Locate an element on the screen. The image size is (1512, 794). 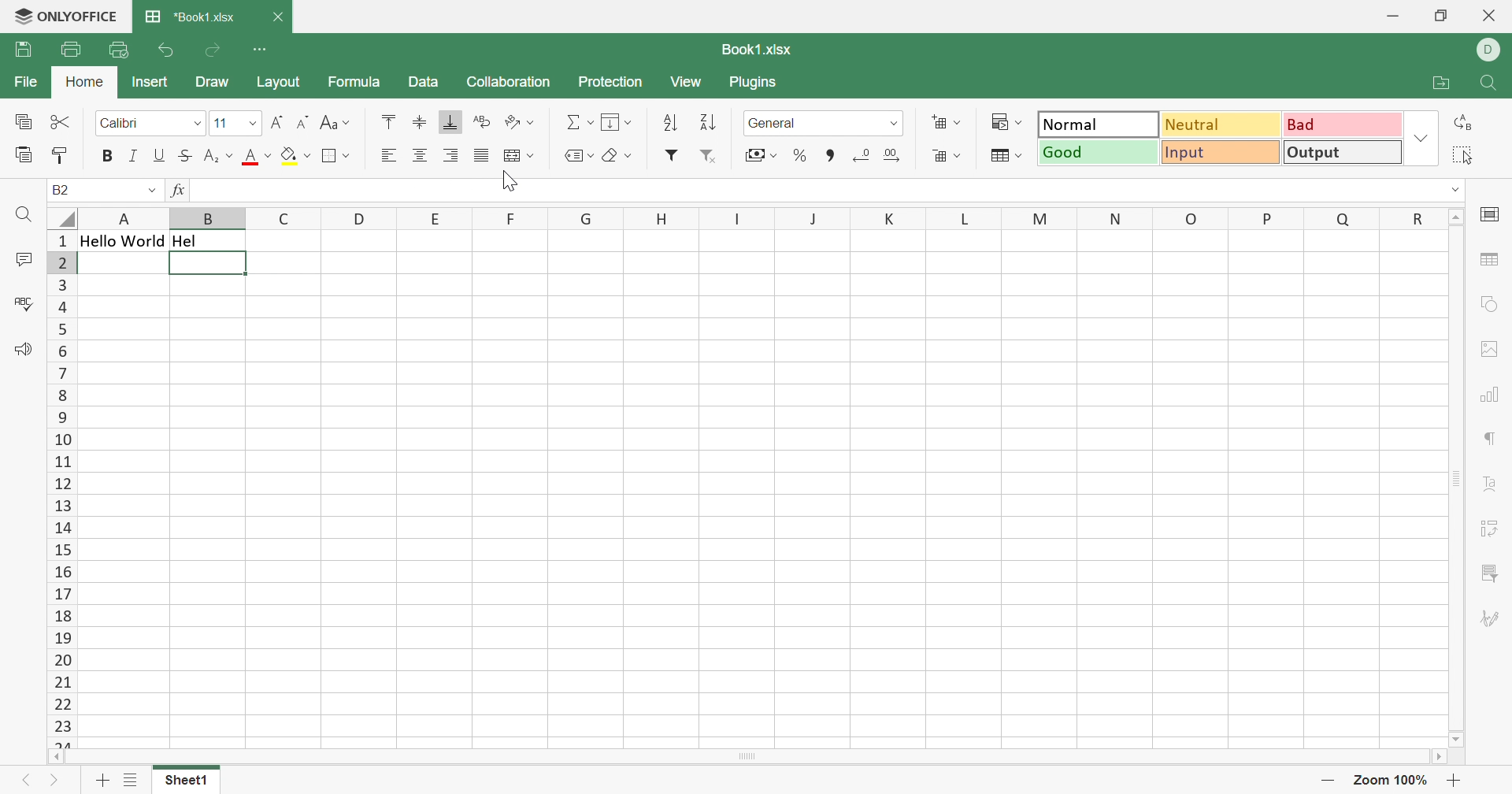
Customize Quick Access Toolbar is located at coordinates (260, 49).